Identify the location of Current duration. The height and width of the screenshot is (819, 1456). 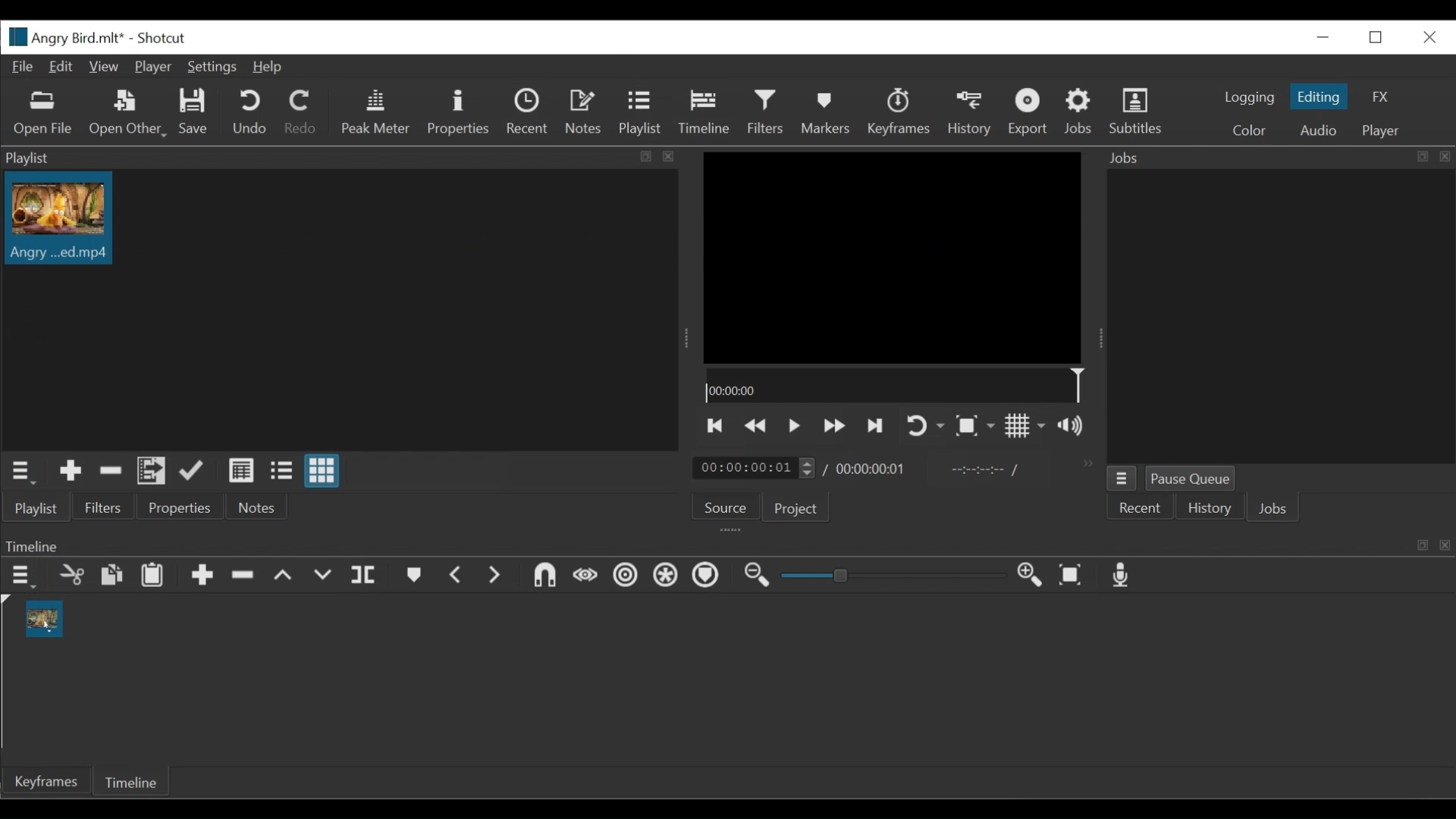
(755, 468).